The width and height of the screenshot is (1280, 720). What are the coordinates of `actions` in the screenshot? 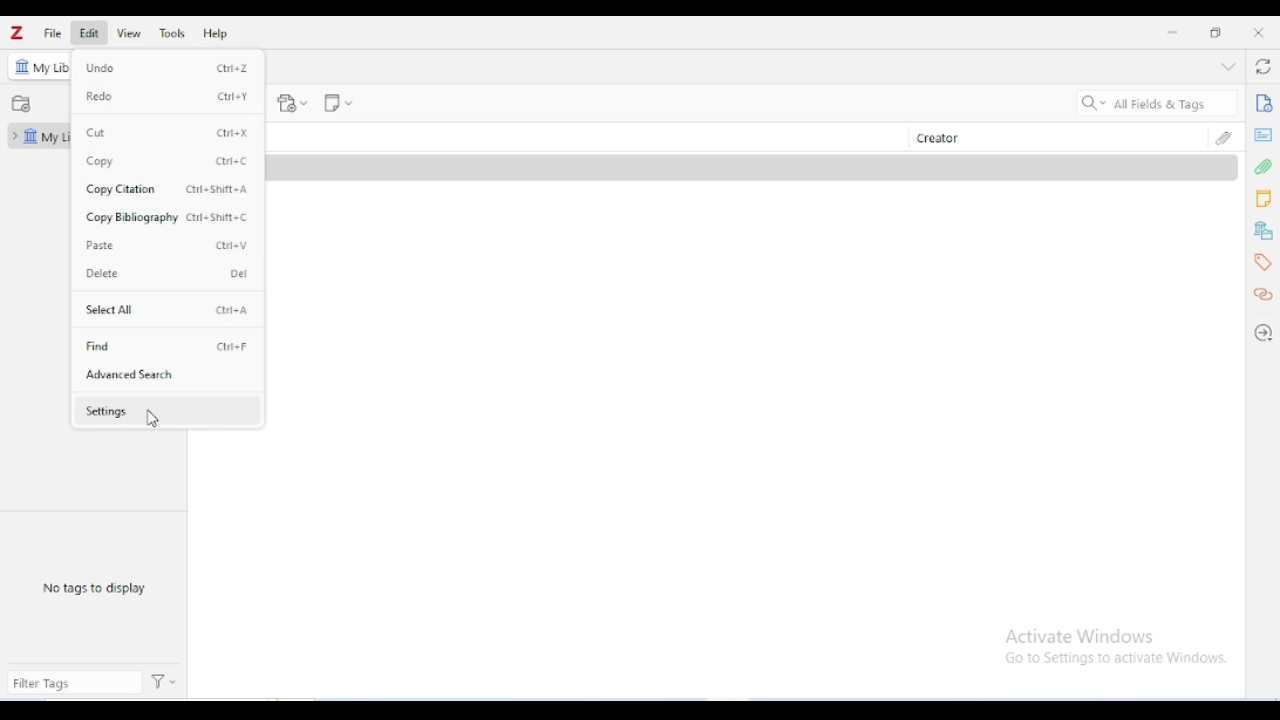 It's located at (164, 682).